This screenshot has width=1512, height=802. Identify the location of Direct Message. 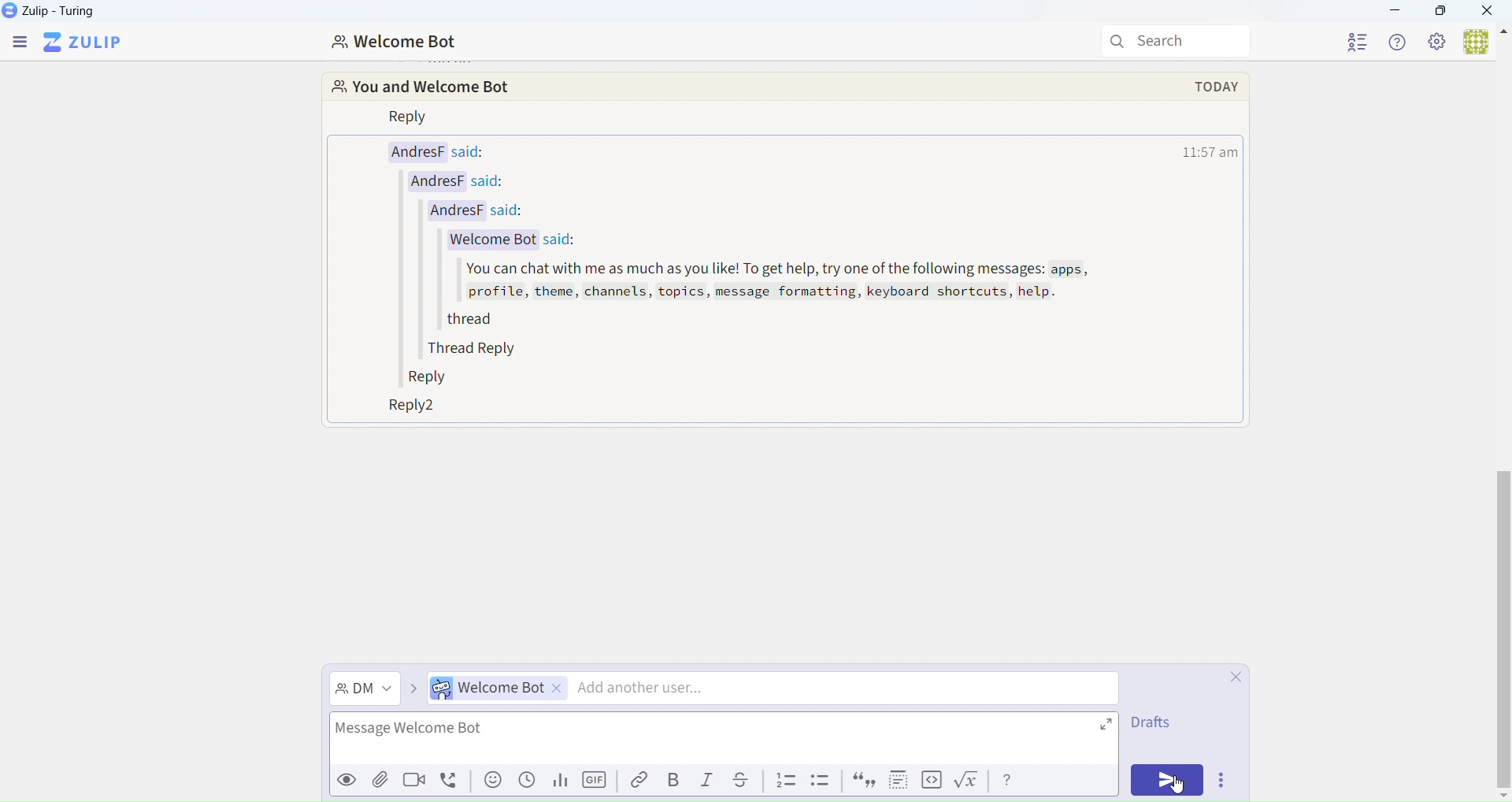
(365, 688).